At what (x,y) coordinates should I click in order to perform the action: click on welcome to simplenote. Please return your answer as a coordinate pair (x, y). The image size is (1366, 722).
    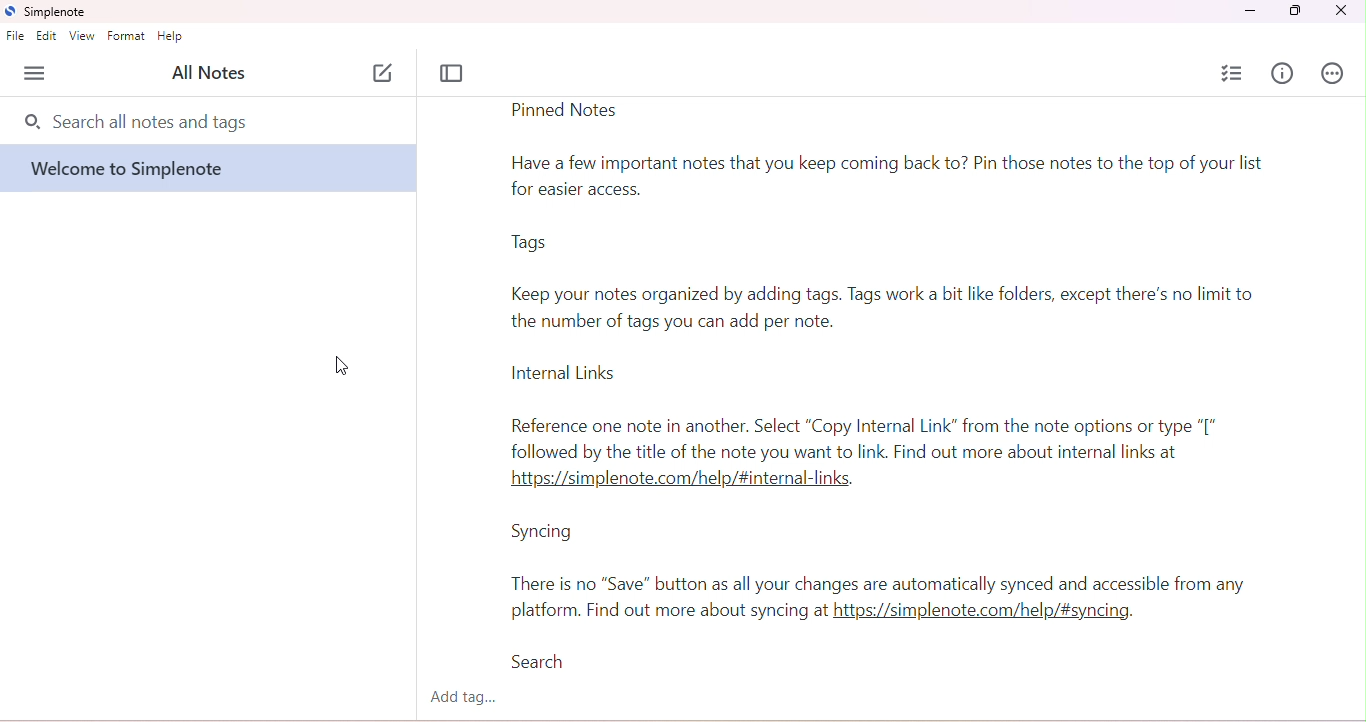
    Looking at the image, I should click on (138, 169).